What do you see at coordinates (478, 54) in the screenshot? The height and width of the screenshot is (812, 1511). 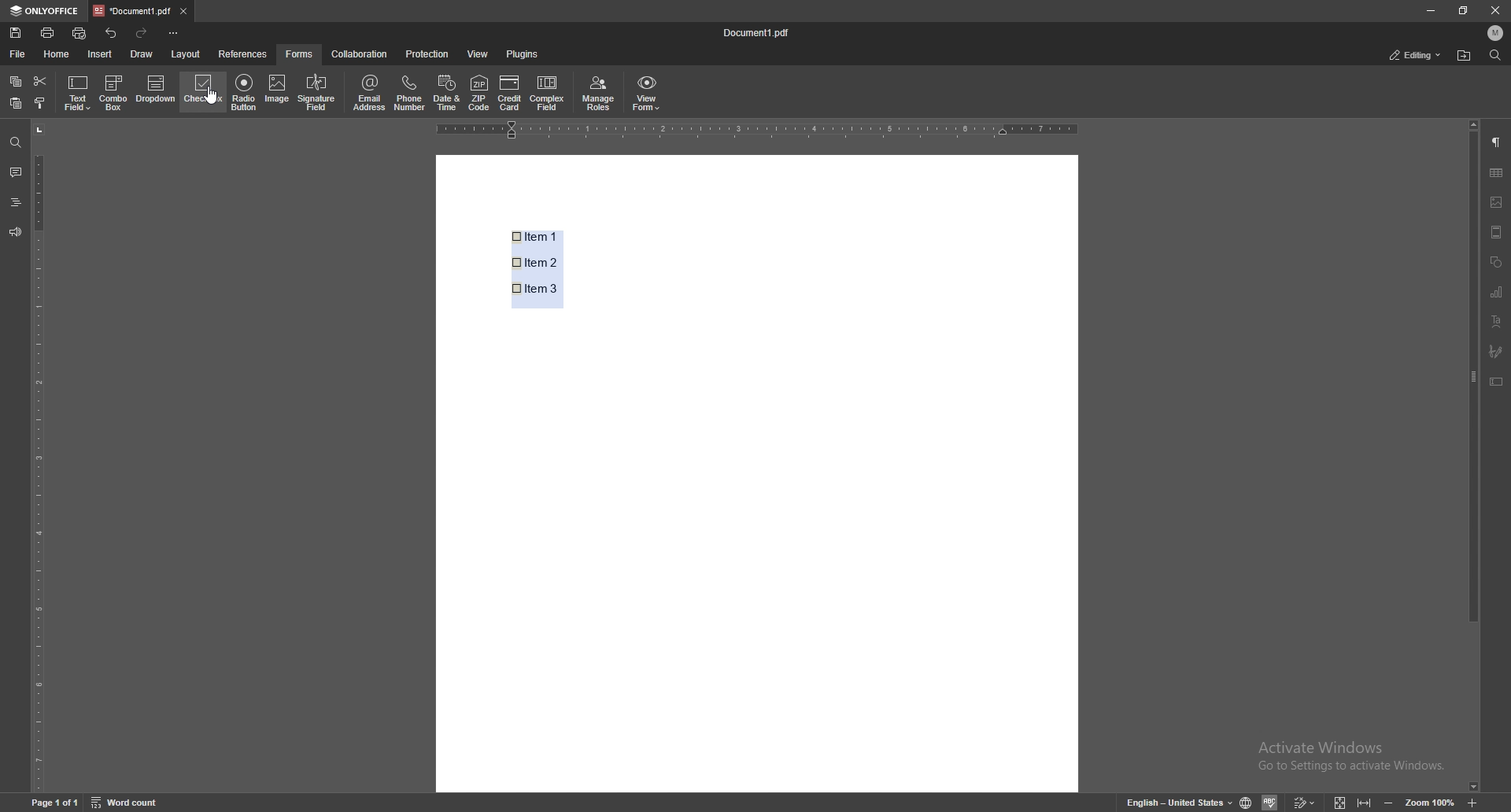 I see `view` at bounding box center [478, 54].